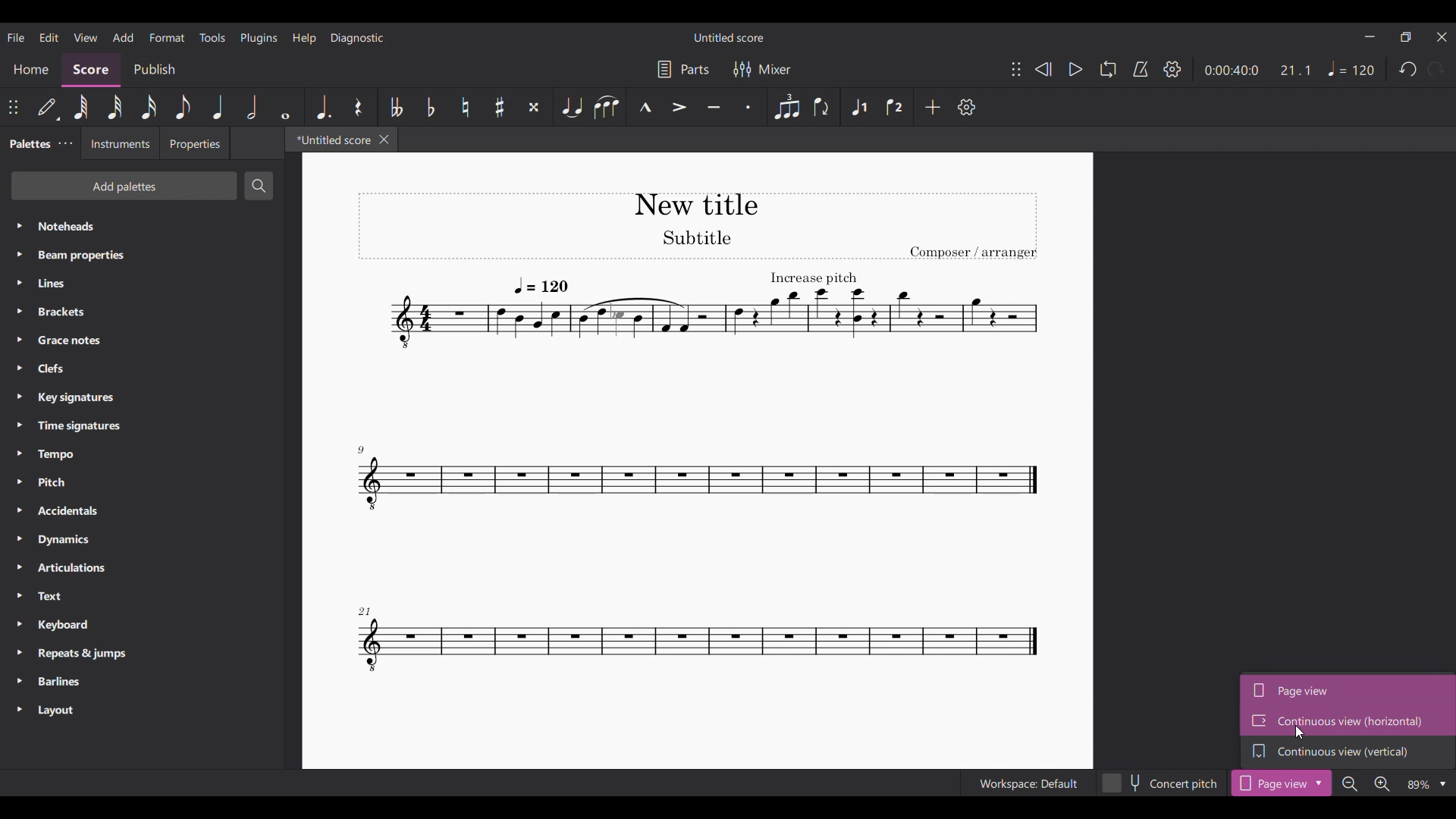 This screenshot has height=819, width=1456. I want to click on Redo, so click(1435, 68).